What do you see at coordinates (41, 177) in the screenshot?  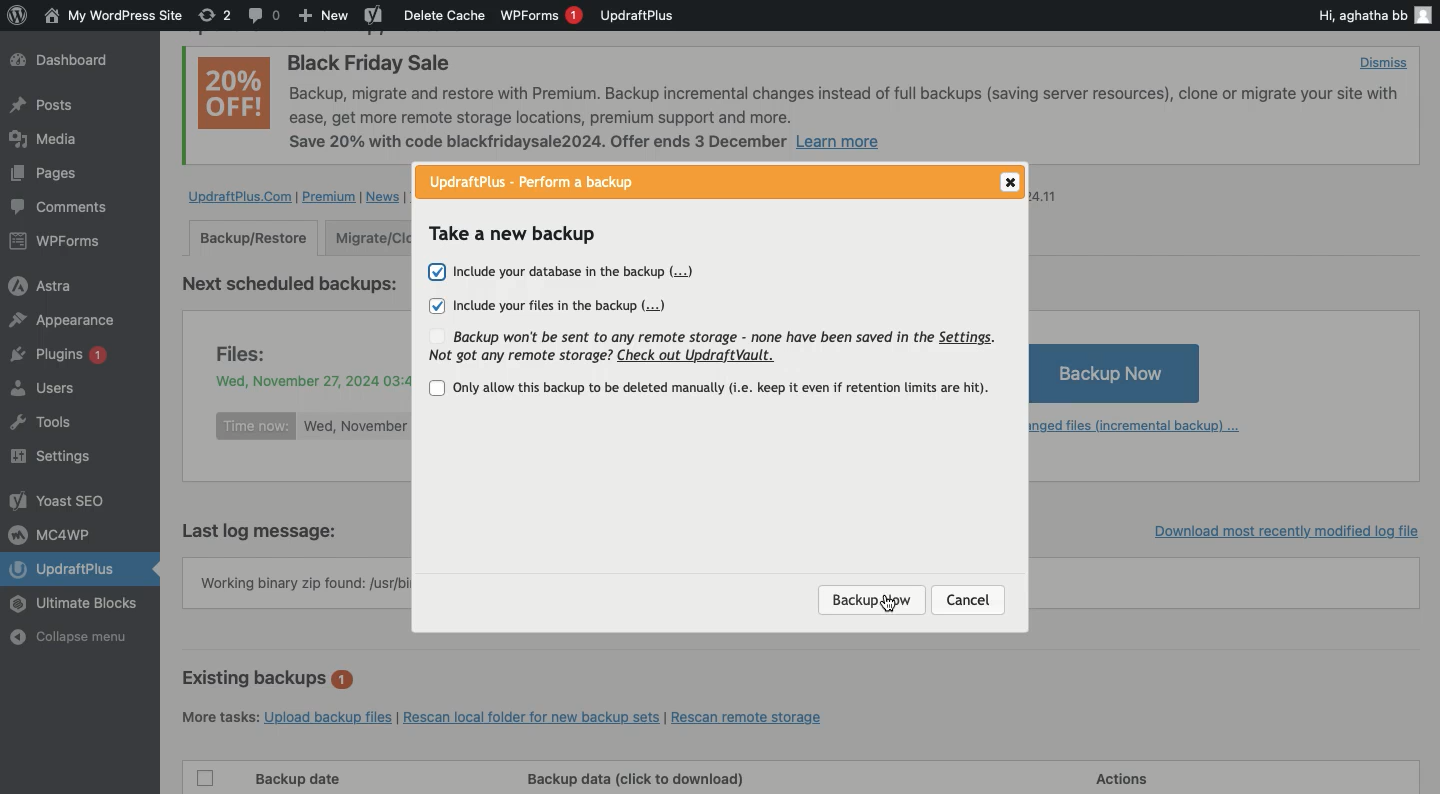 I see `Posts` at bounding box center [41, 177].